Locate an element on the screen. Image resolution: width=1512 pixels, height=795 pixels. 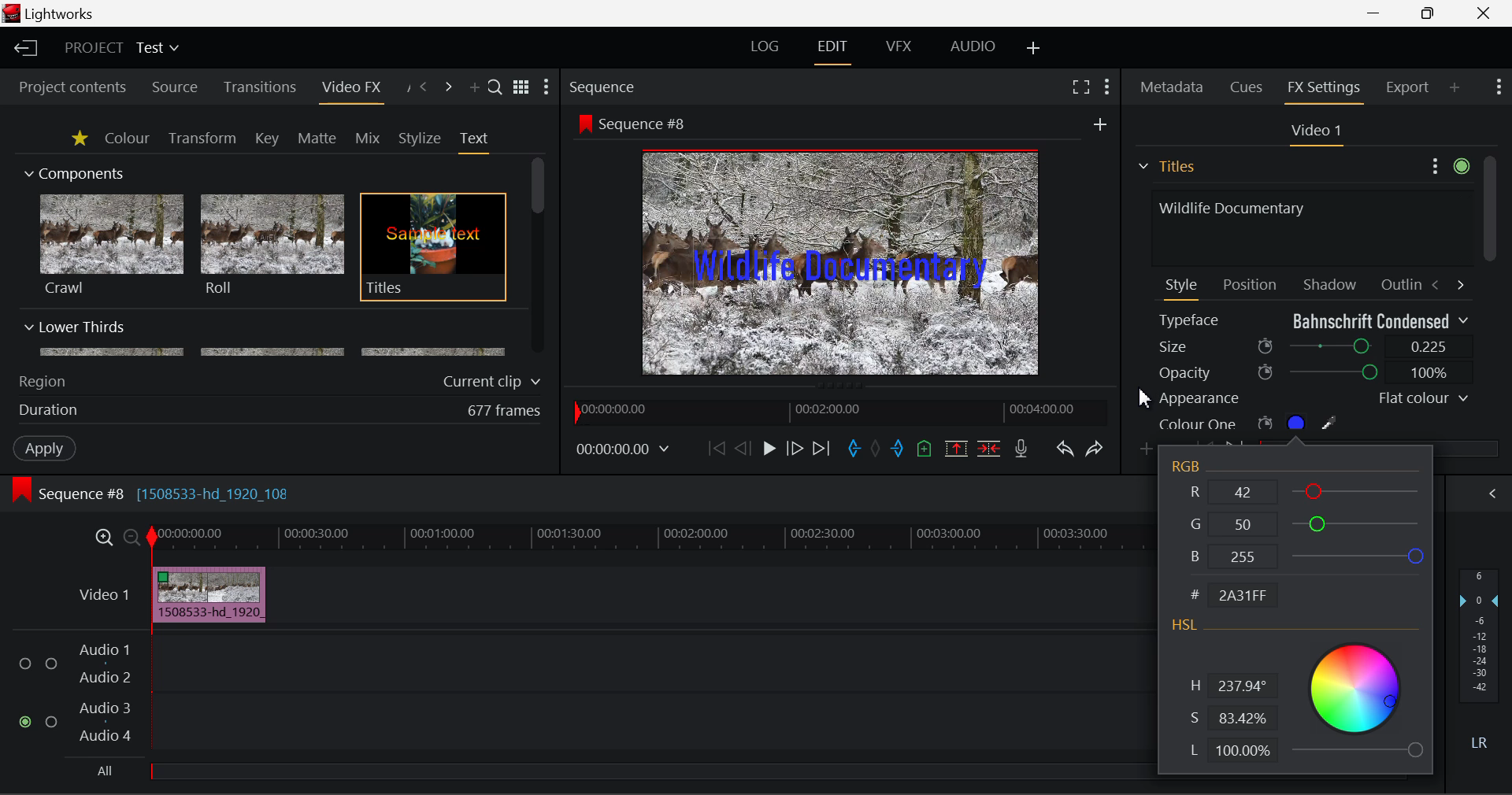
Decibel Level is located at coordinates (1480, 663).